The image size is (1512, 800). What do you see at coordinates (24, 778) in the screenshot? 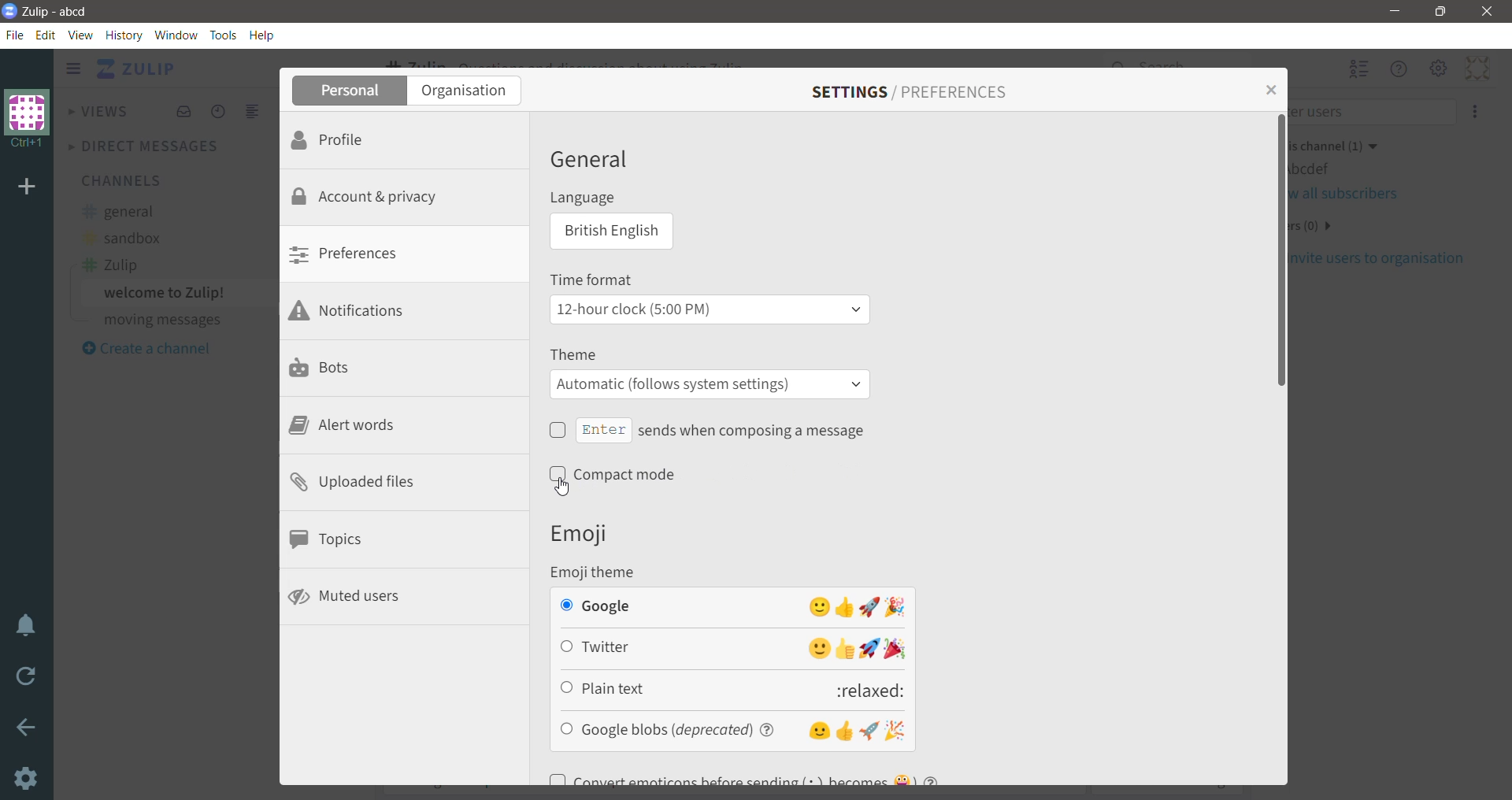
I see `Settings` at bounding box center [24, 778].